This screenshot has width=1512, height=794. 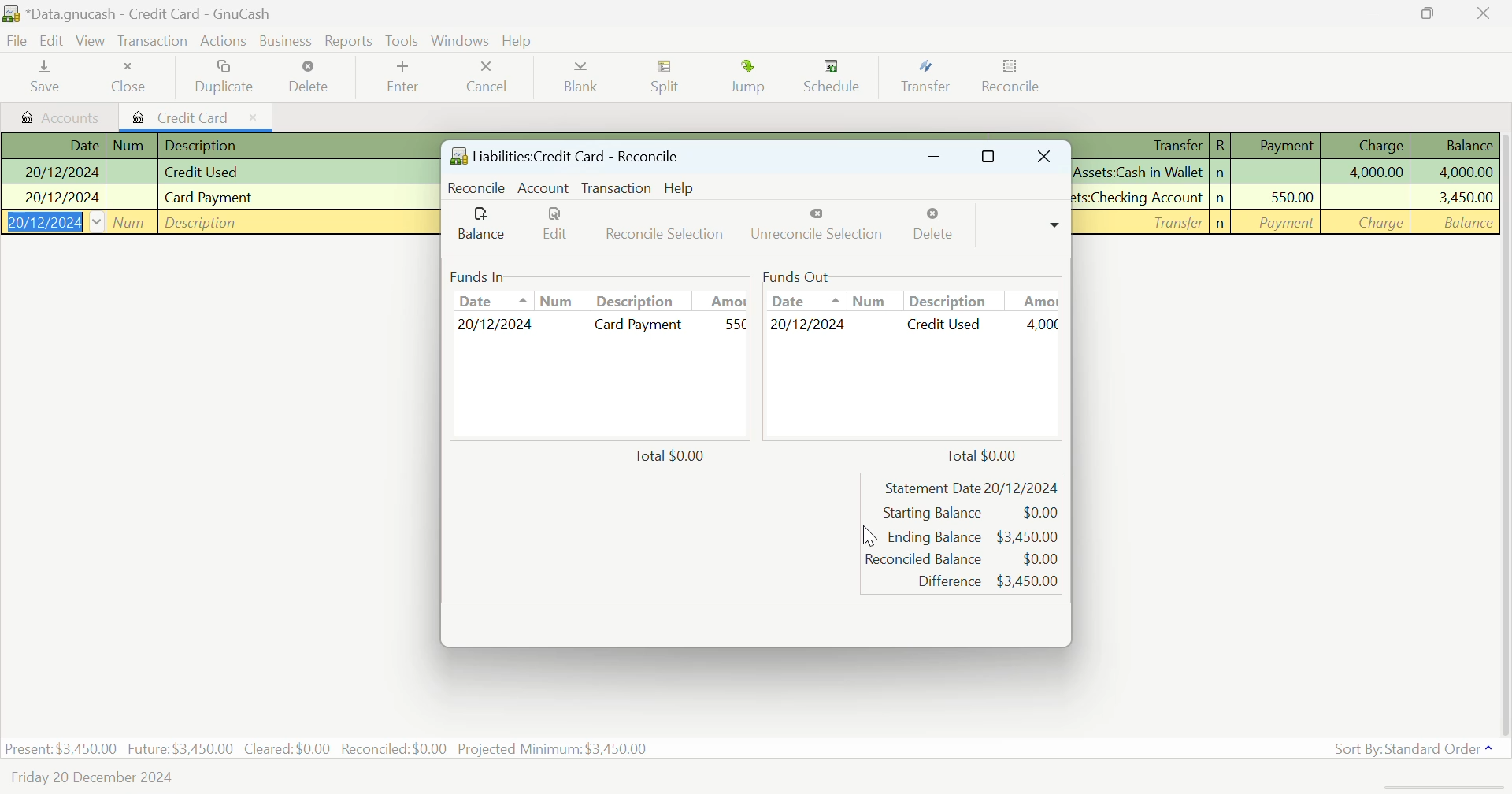 What do you see at coordinates (969, 513) in the screenshot?
I see `Starting Balance $0.00` at bounding box center [969, 513].